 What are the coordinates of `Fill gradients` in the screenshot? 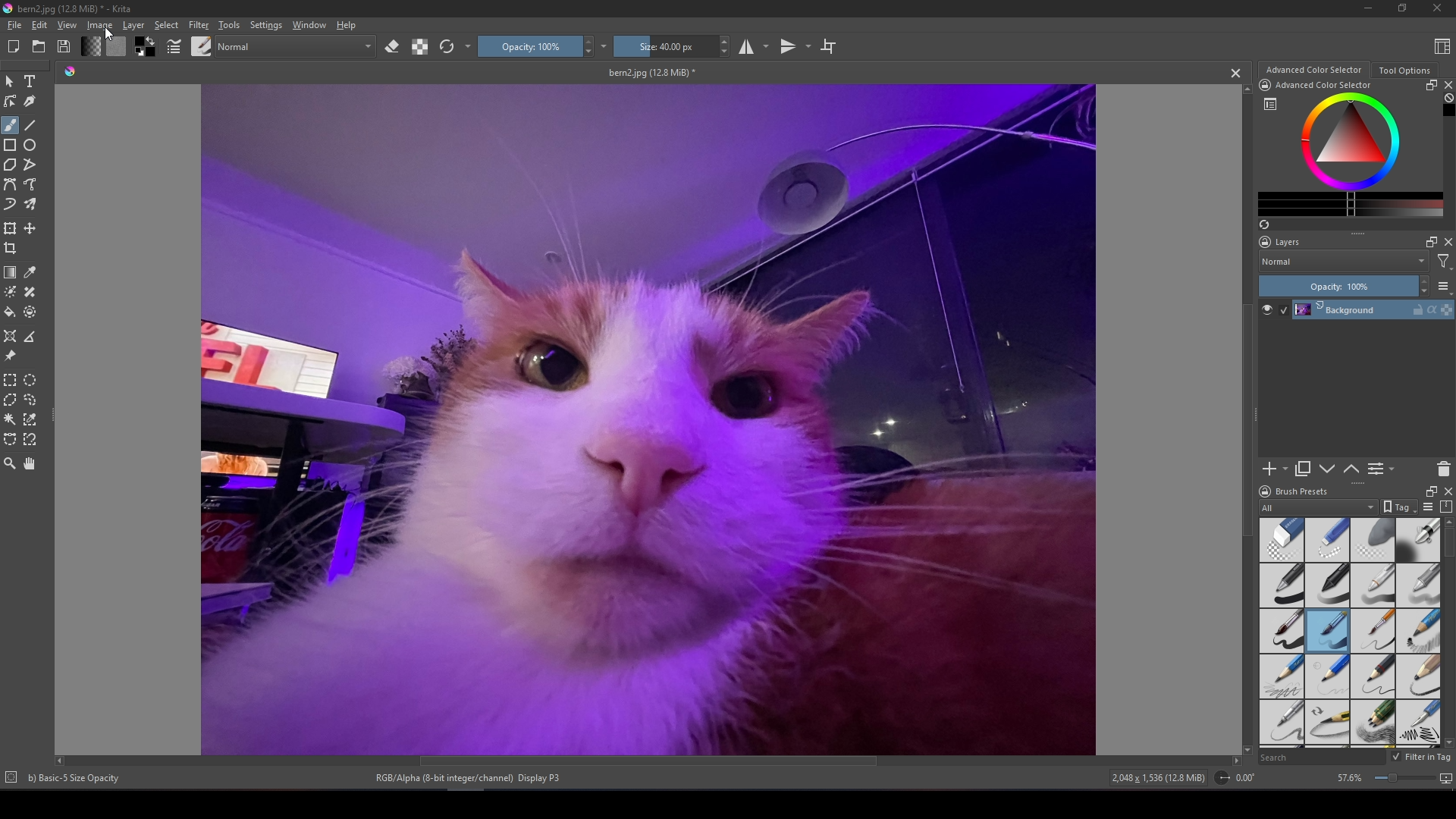 It's located at (90, 45).